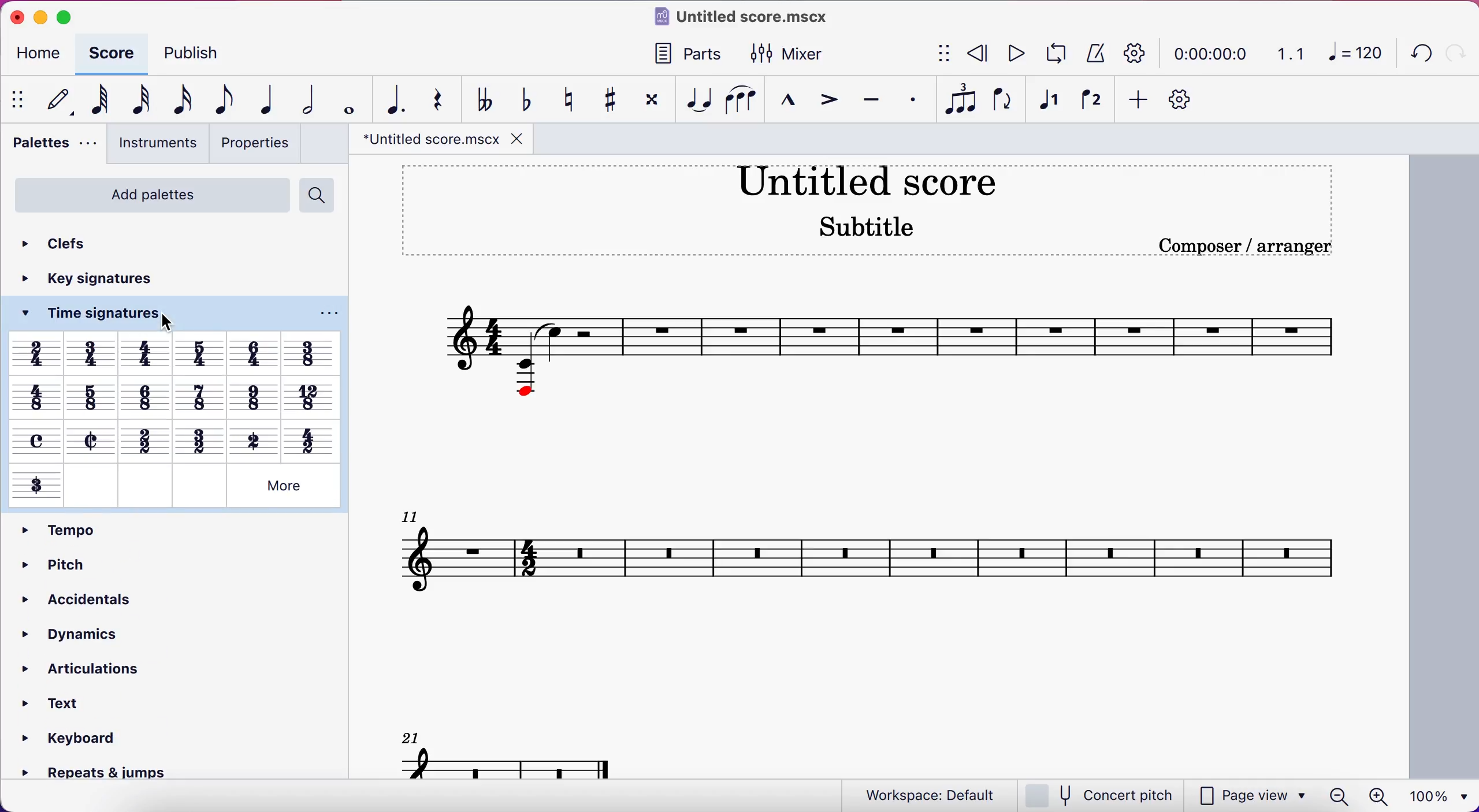 This screenshot has height=812, width=1479. What do you see at coordinates (284, 488) in the screenshot?
I see `More` at bounding box center [284, 488].